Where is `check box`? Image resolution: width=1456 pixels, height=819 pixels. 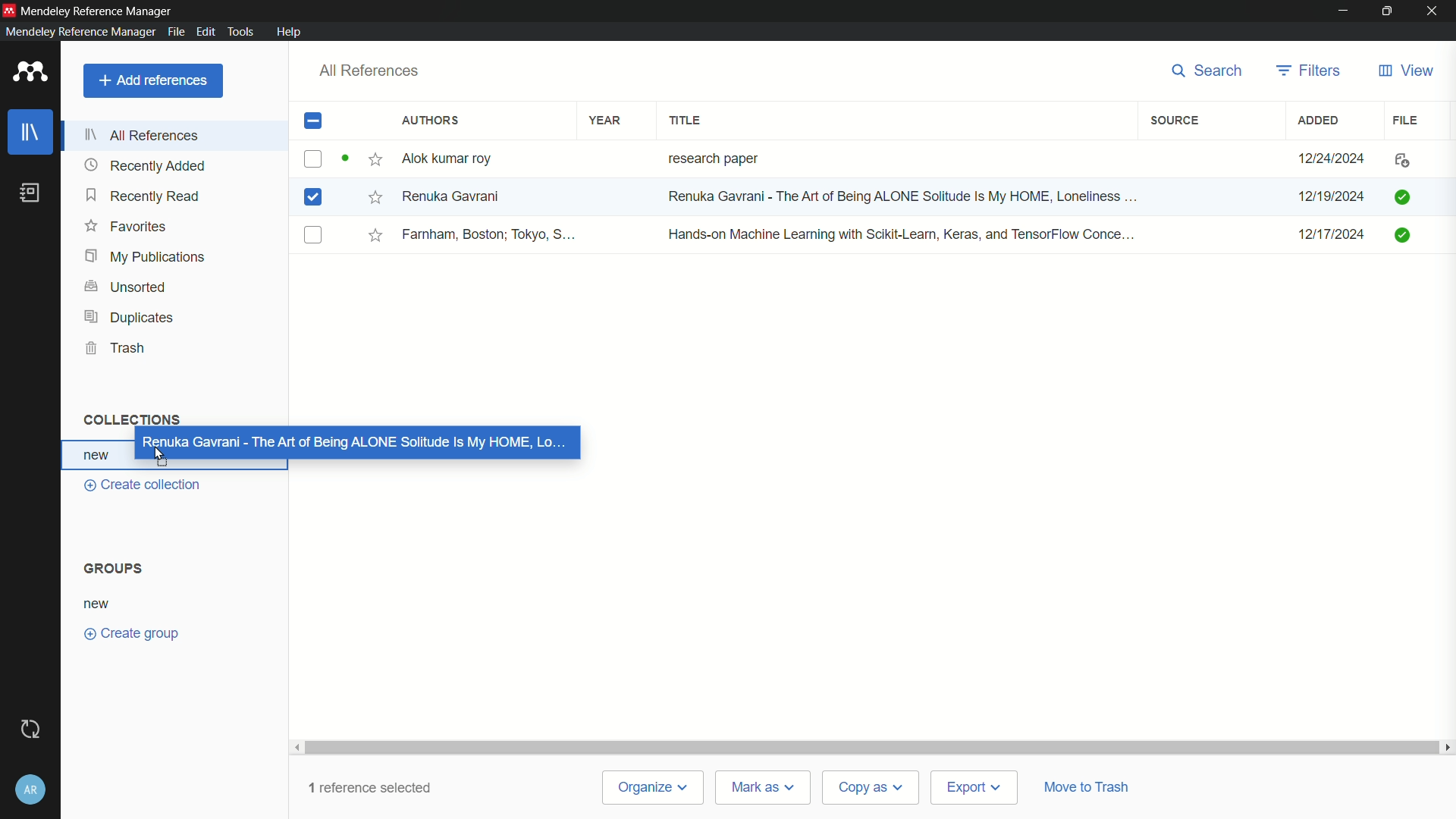
check box is located at coordinates (315, 121).